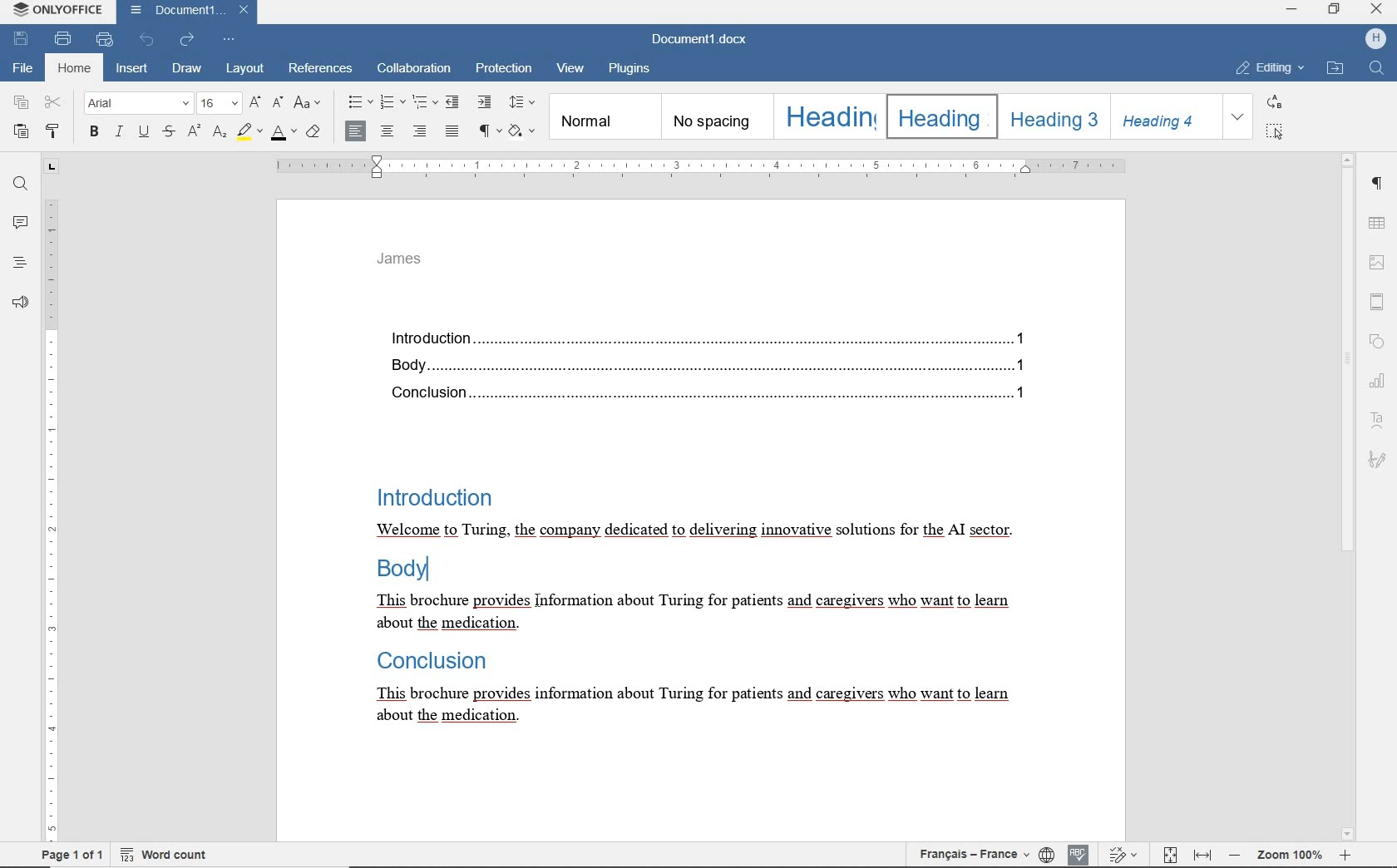  Describe the element at coordinates (523, 131) in the screenshot. I see `SHADING` at that location.